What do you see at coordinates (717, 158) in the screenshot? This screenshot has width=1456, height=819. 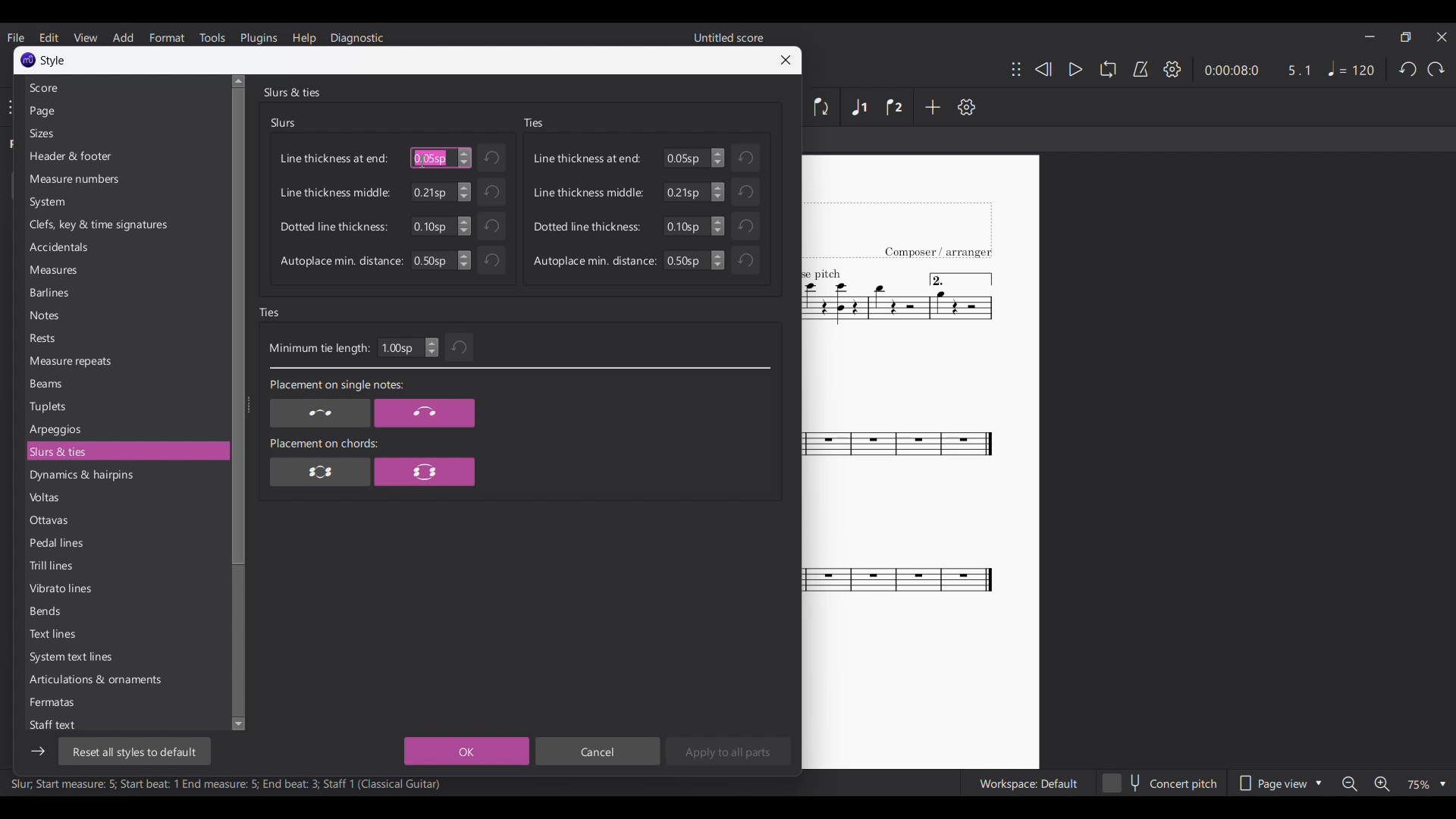 I see `Increase/Decrease Line thickness at end` at bounding box center [717, 158].